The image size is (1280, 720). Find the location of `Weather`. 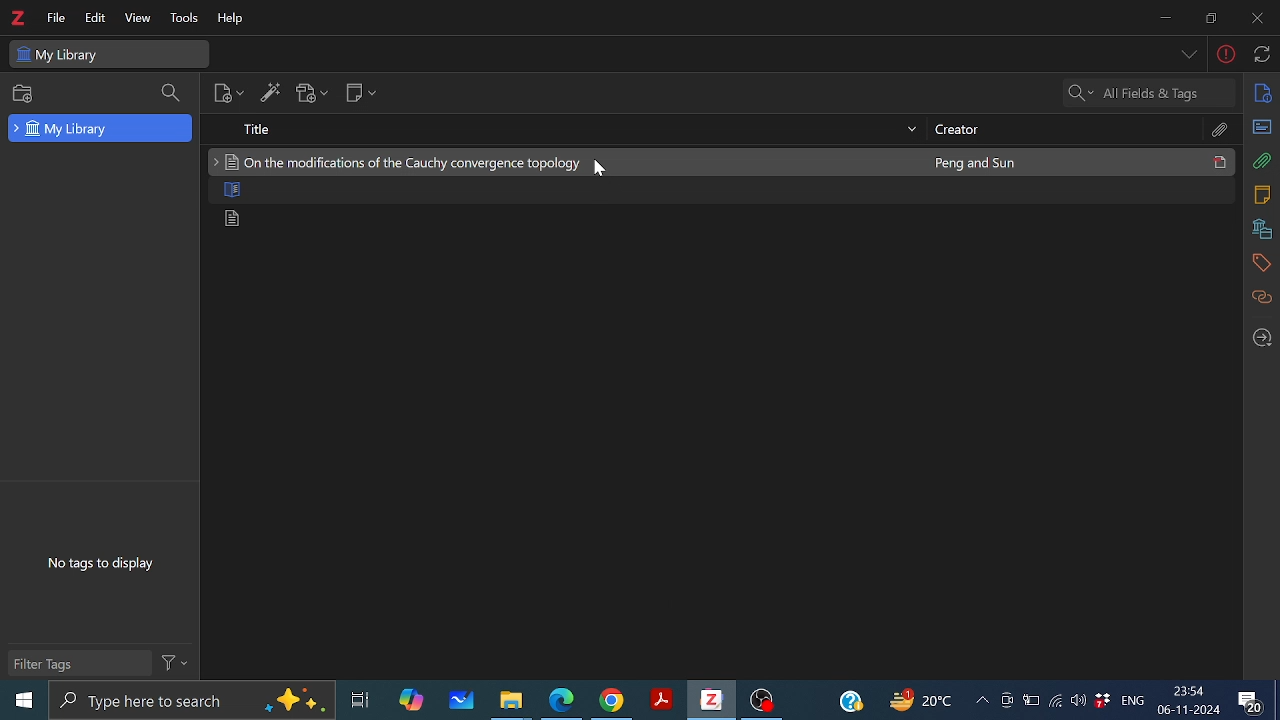

Weather is located at coordinates (925, 701).